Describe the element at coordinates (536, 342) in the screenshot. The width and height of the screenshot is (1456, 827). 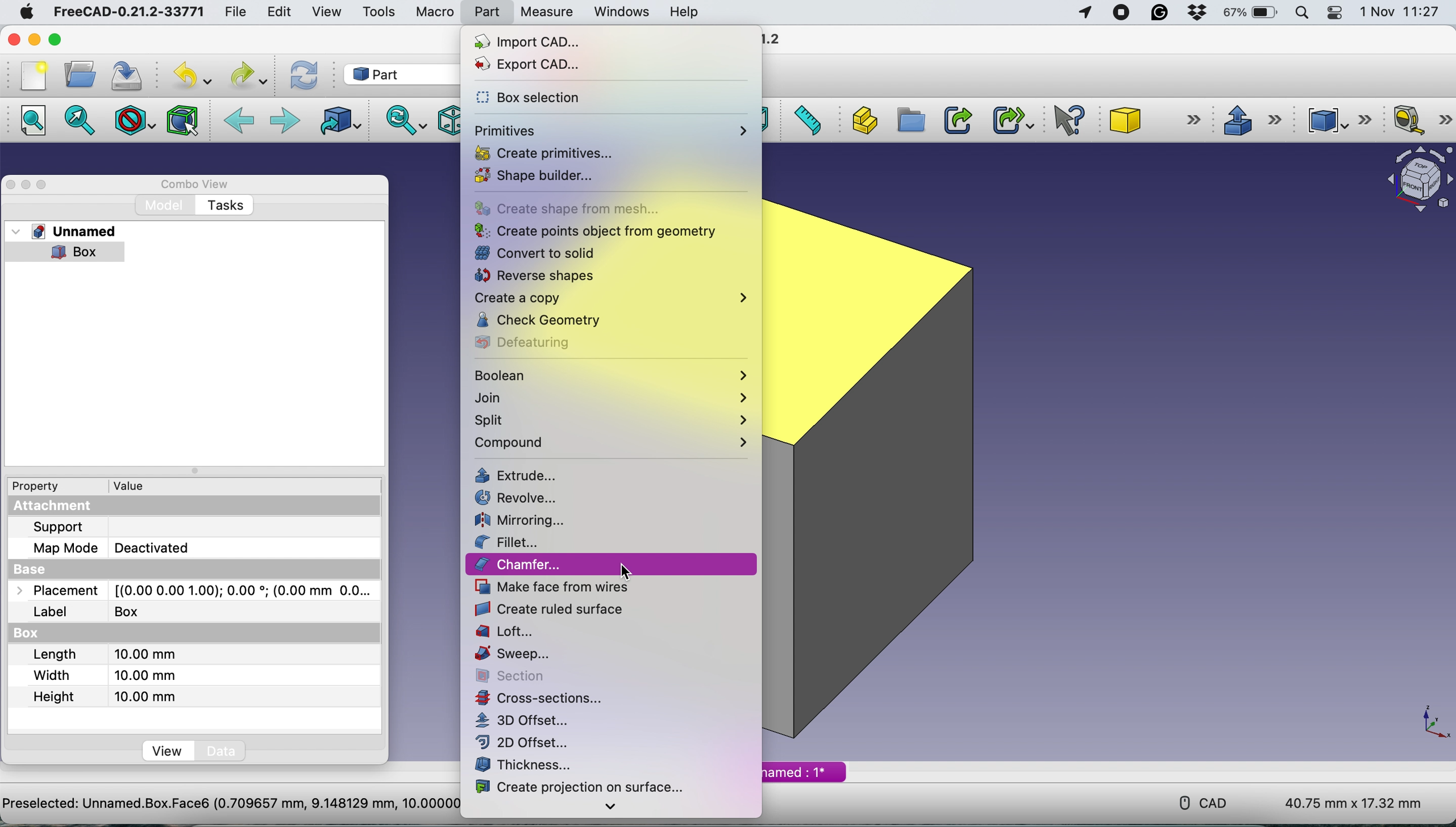
I see `defeaturing` at that location.